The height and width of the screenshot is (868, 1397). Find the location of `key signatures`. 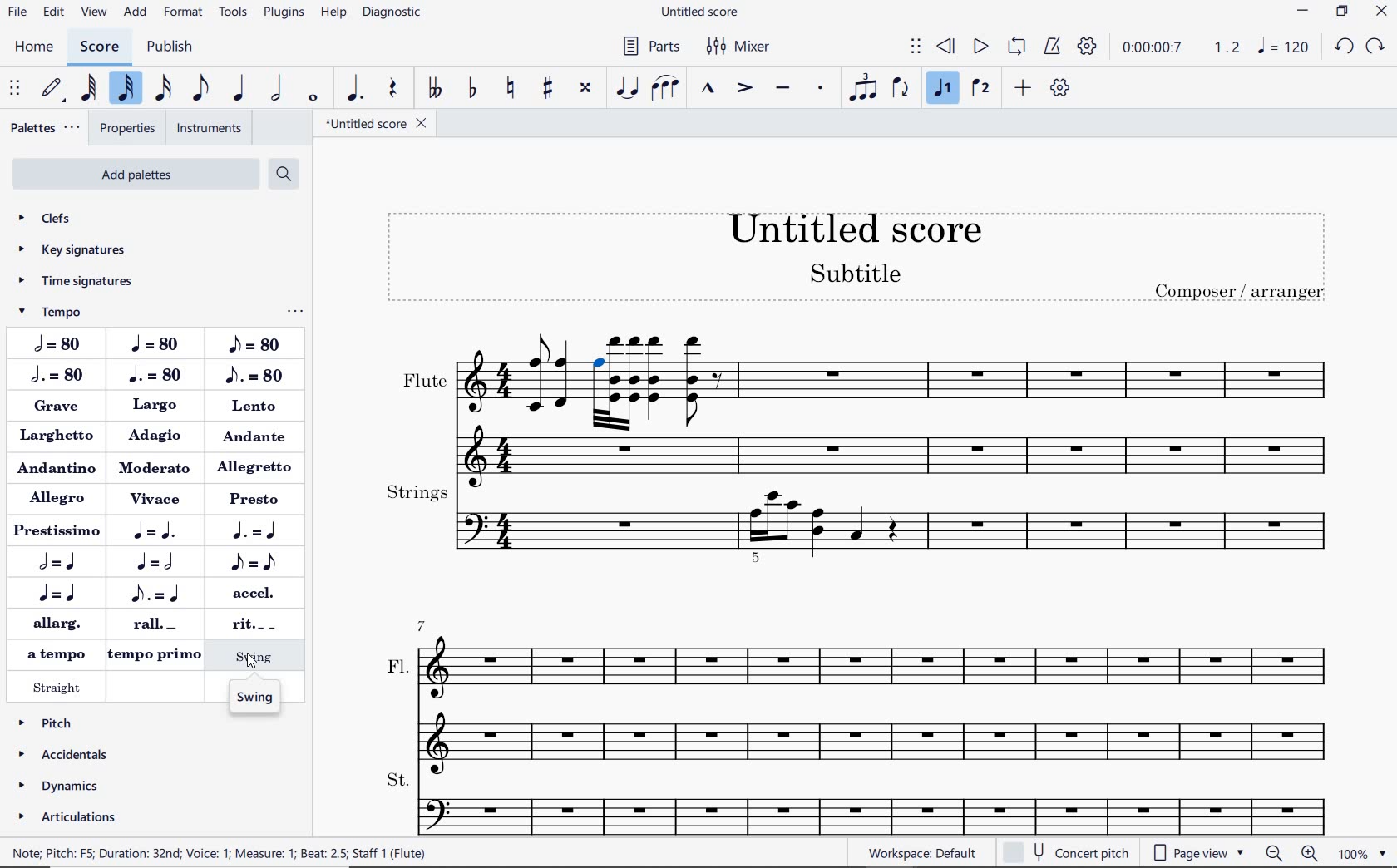

key signatures is located at coordinates (82, 250).